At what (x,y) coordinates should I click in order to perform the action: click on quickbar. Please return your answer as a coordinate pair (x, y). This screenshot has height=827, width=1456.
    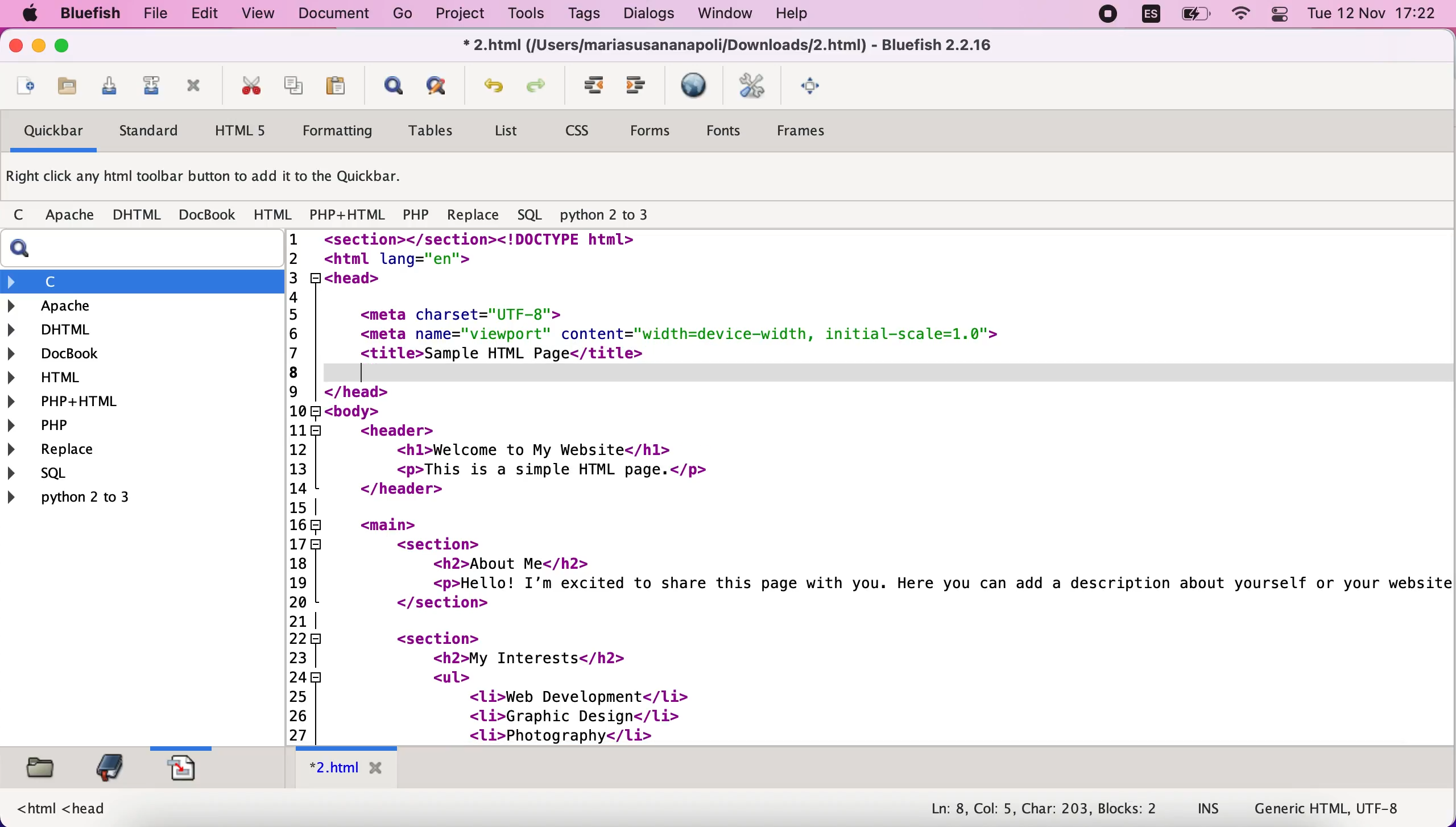
    Looking at the image, I should click on (53, 132).